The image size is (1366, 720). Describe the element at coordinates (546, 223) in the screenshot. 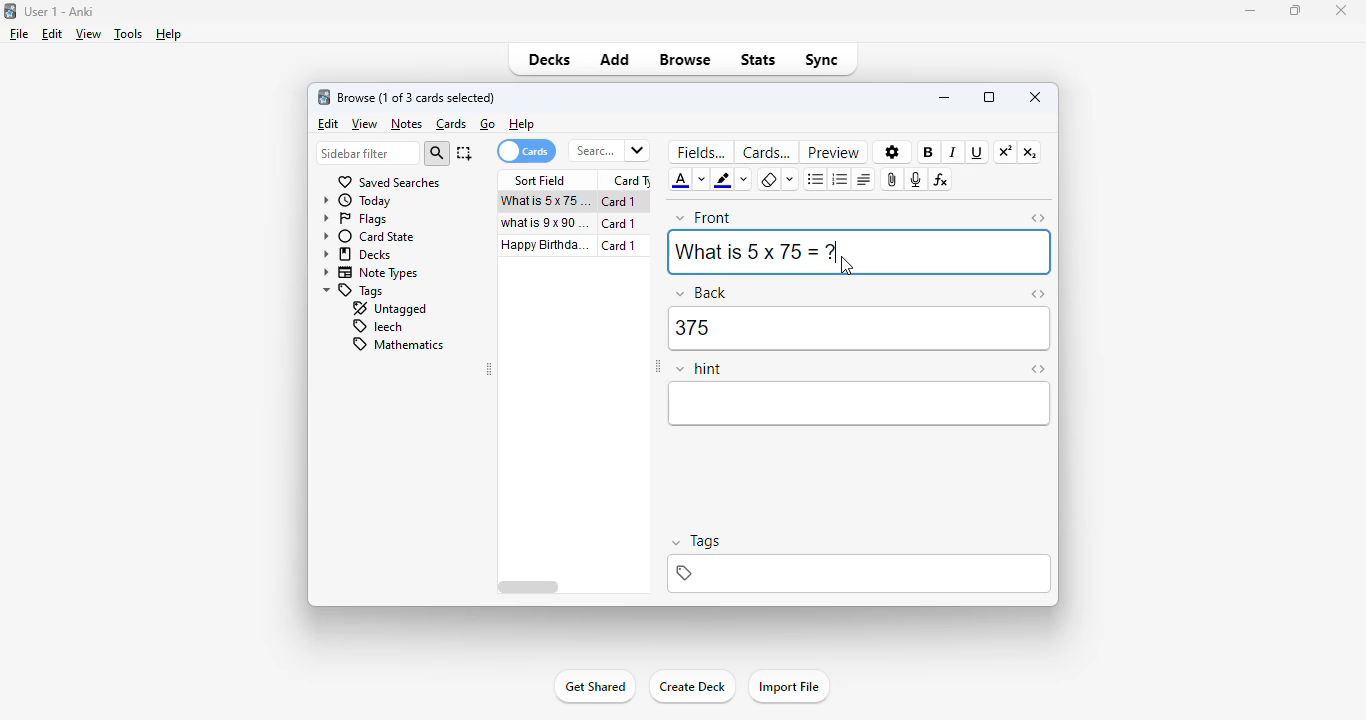

I see `what is 9x90=?` at that location.